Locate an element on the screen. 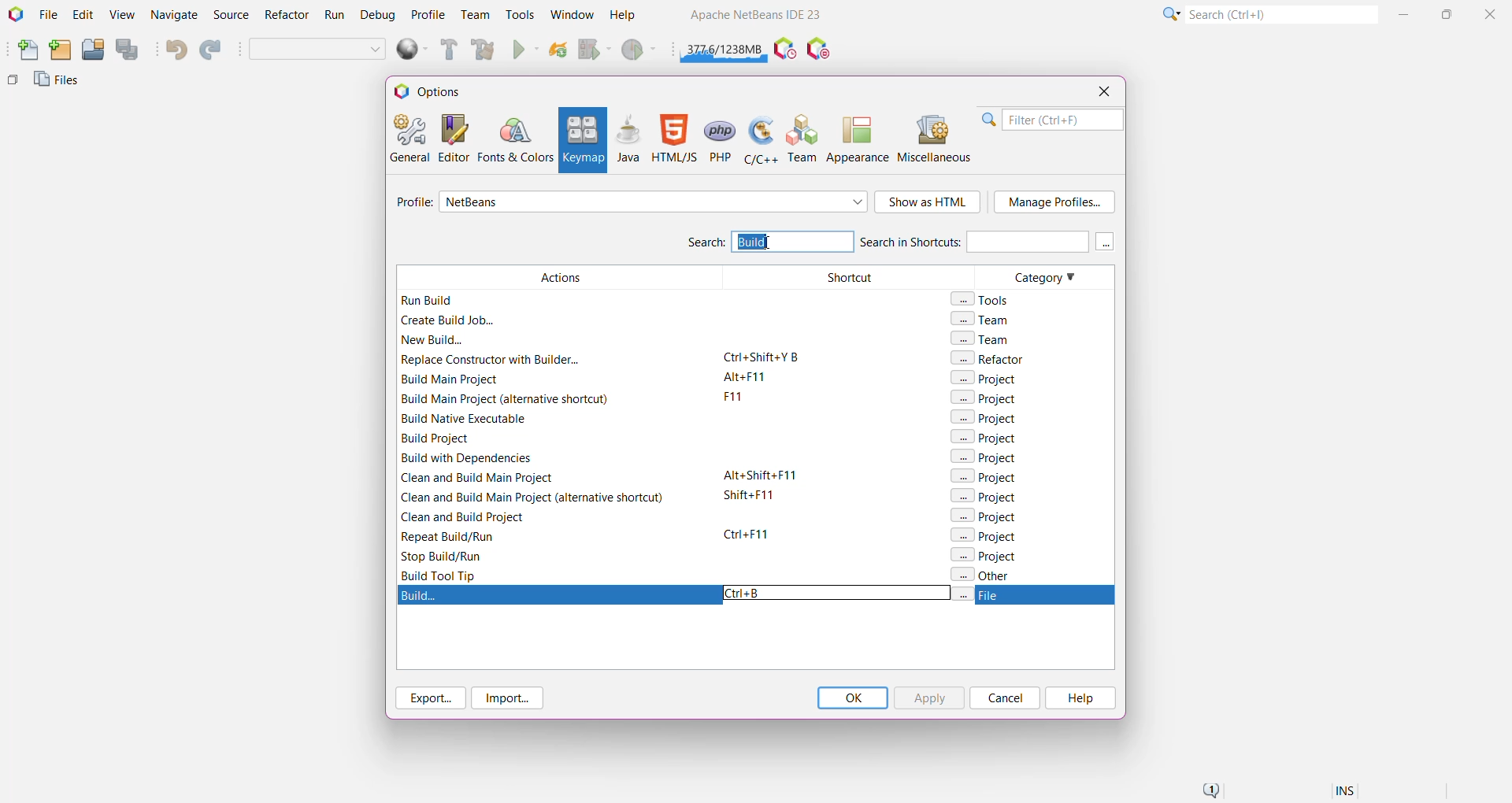 The width and height of the screenshot is (1512, 803). General is located at coordinates (408, 137).